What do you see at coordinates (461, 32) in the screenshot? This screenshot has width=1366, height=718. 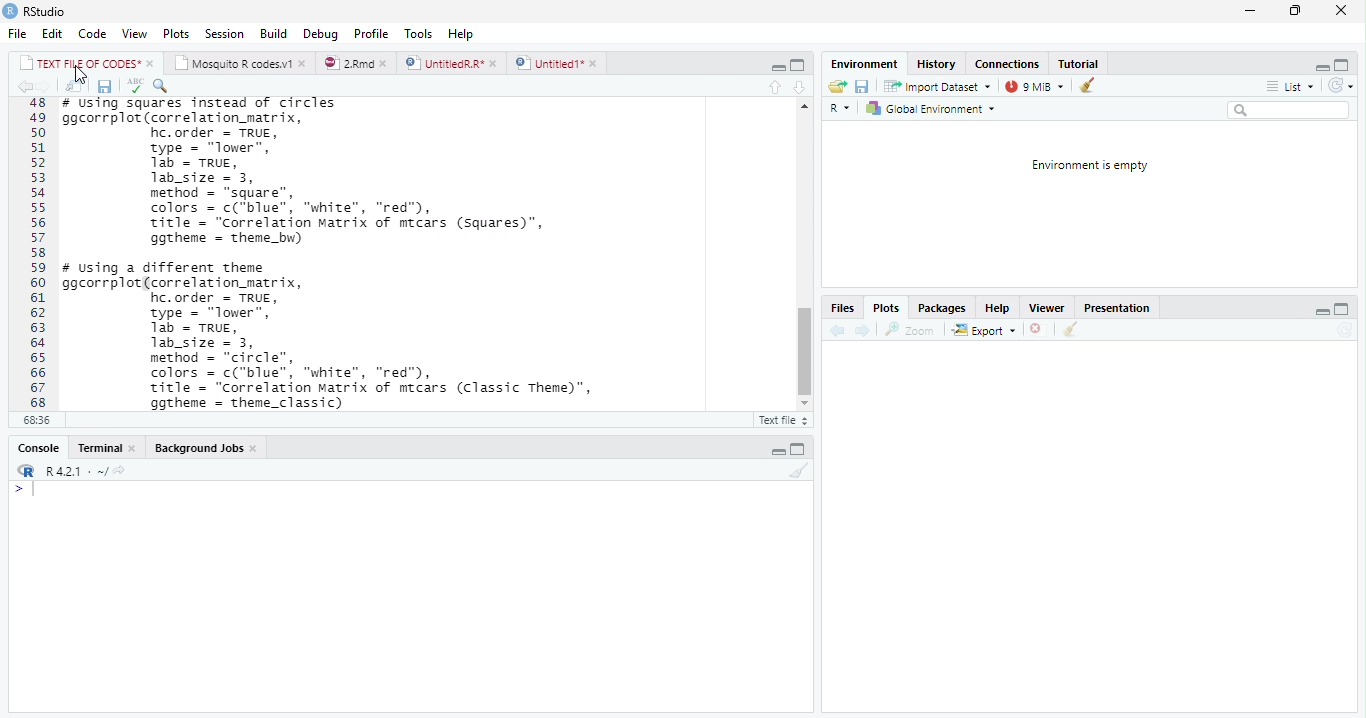 I see `Help` at bounding box center [461, 32].